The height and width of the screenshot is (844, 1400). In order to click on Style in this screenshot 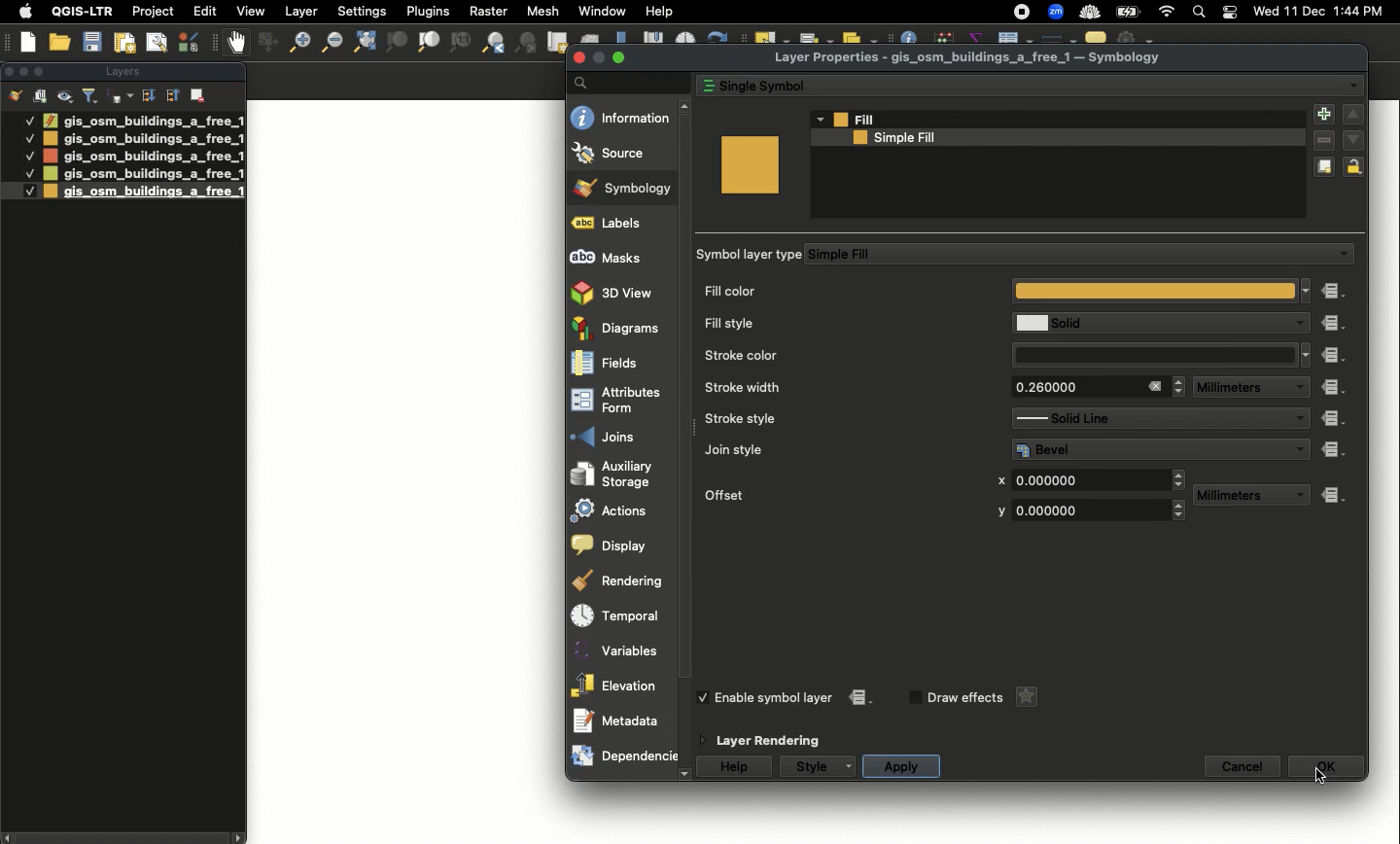, I will do `click(810, 766)`.